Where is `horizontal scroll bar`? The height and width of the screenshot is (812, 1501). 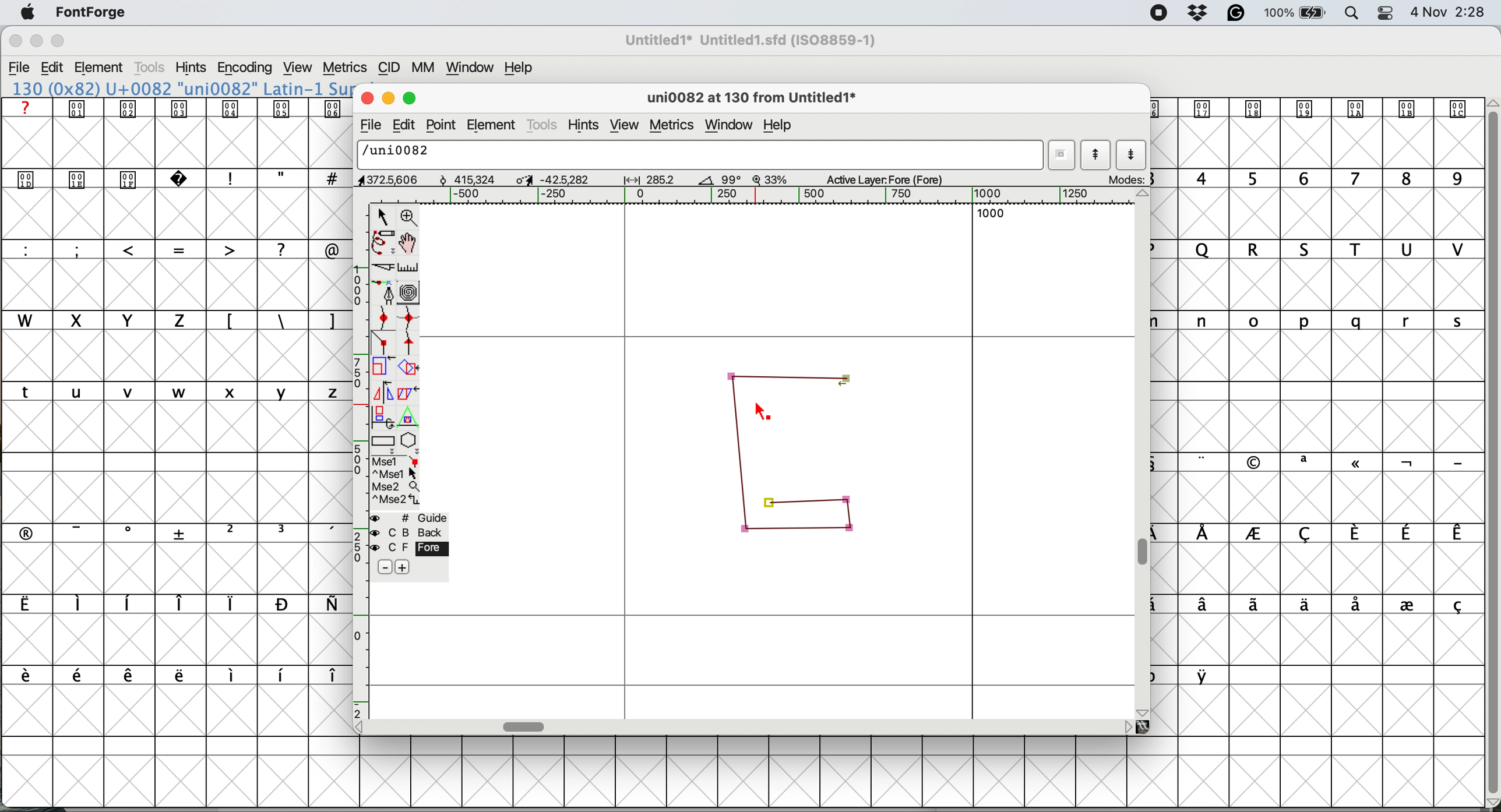
horizontal scroll bar is located at coordinates (526, 726).